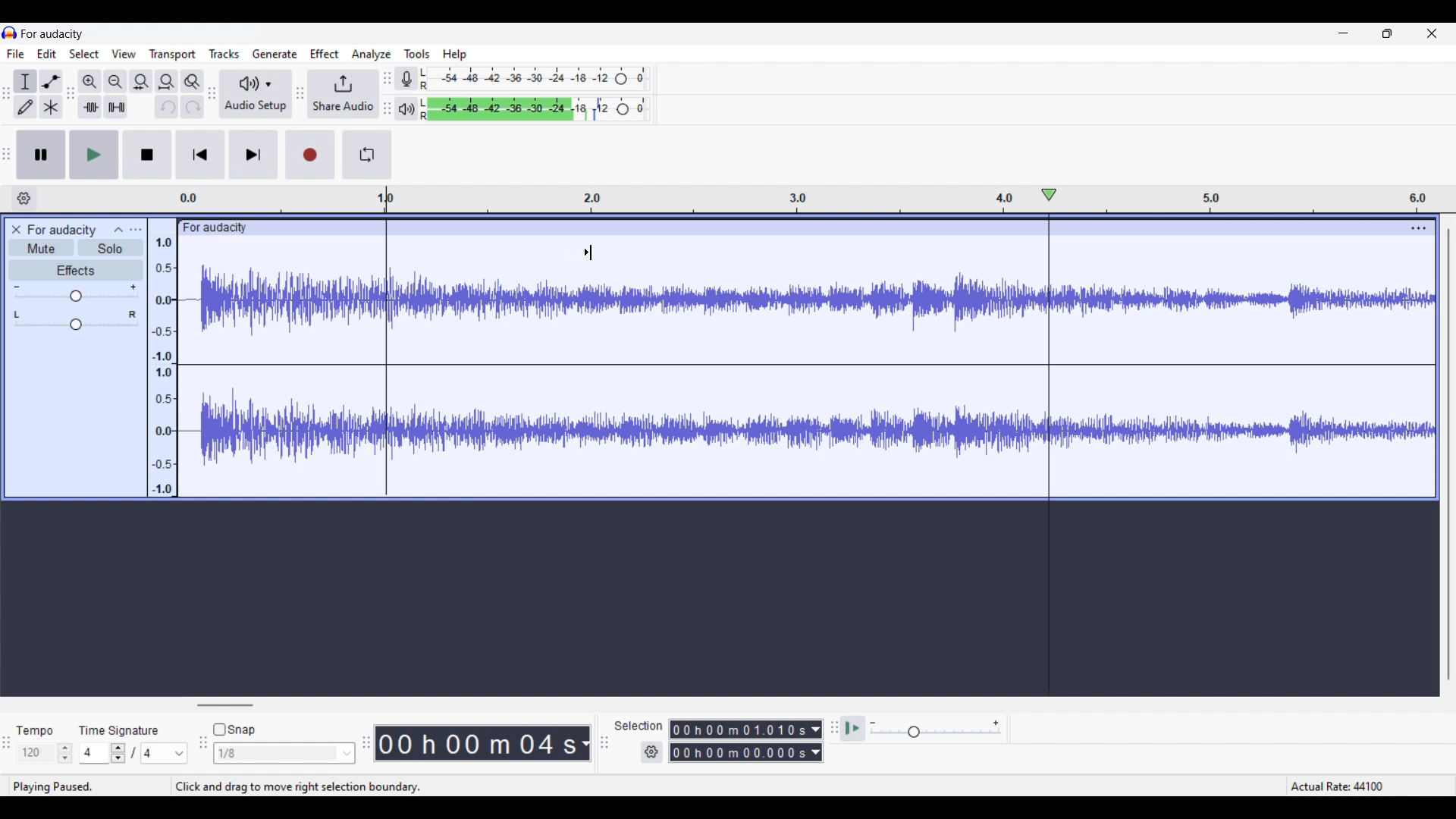 This screenshot has width=1456, height=819. What do you see at coordinates (26, 107) in the screenshot?
I see `Draw tool` at bounding box center [26, 107].